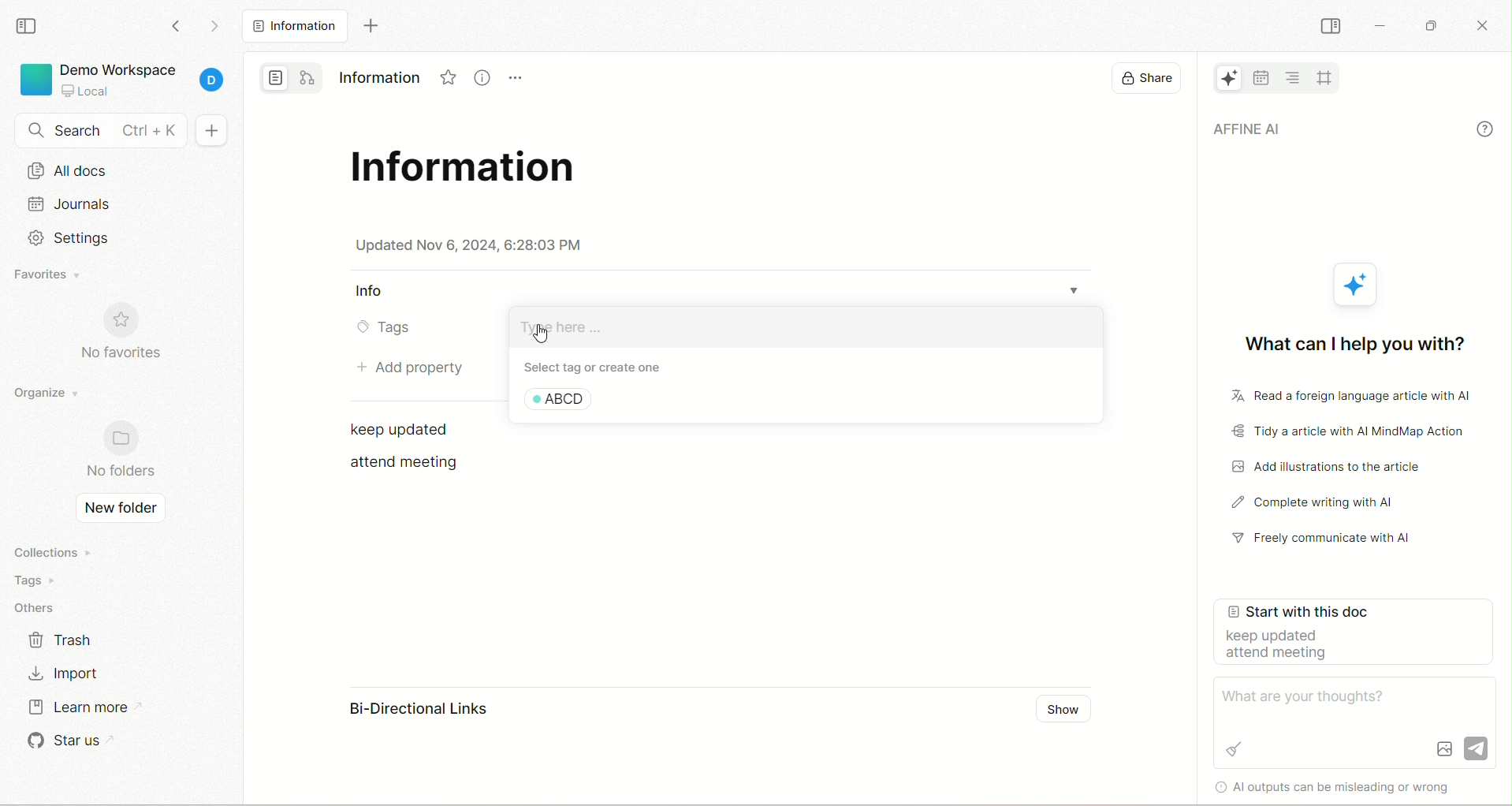  I want to click on Al outputs can be misleading or wrong, so click(1333, 785).